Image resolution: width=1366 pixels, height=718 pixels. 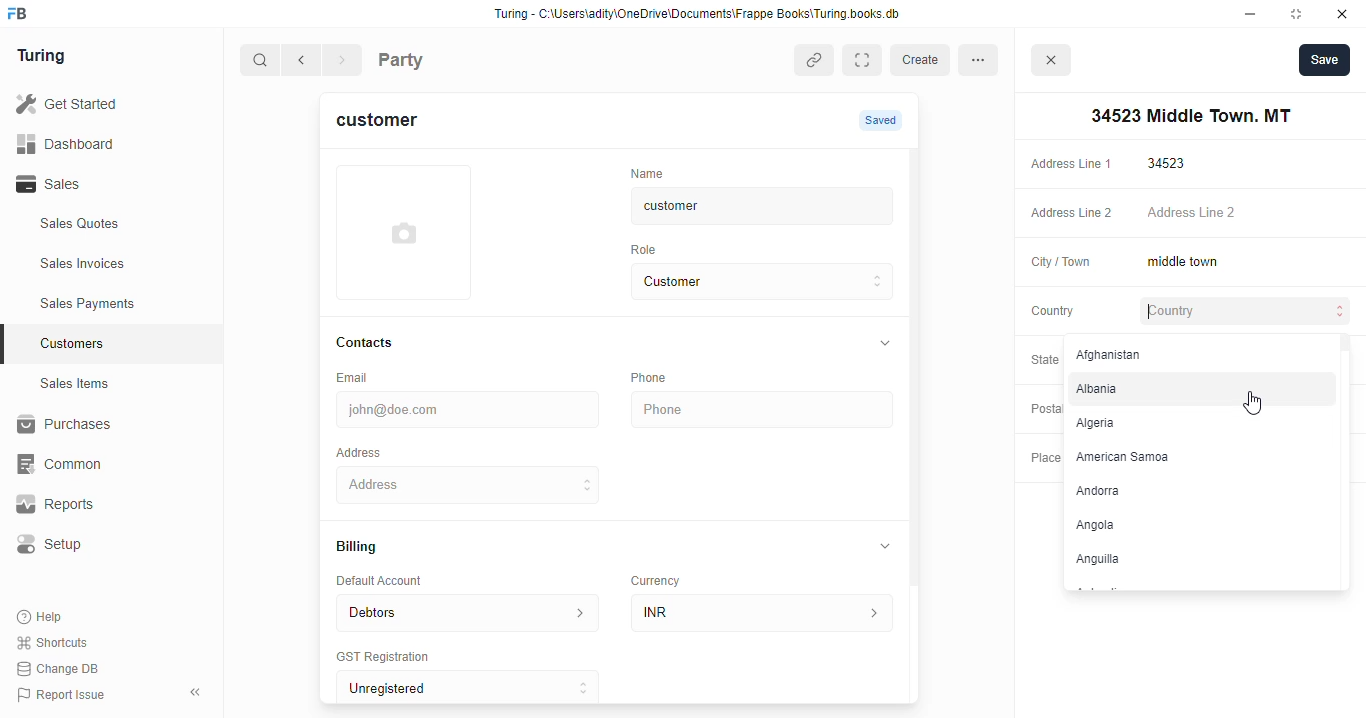 What do you see at coordinates (356, 376) in the screenshot?
I see `Email` at bounding box center [356, 376].